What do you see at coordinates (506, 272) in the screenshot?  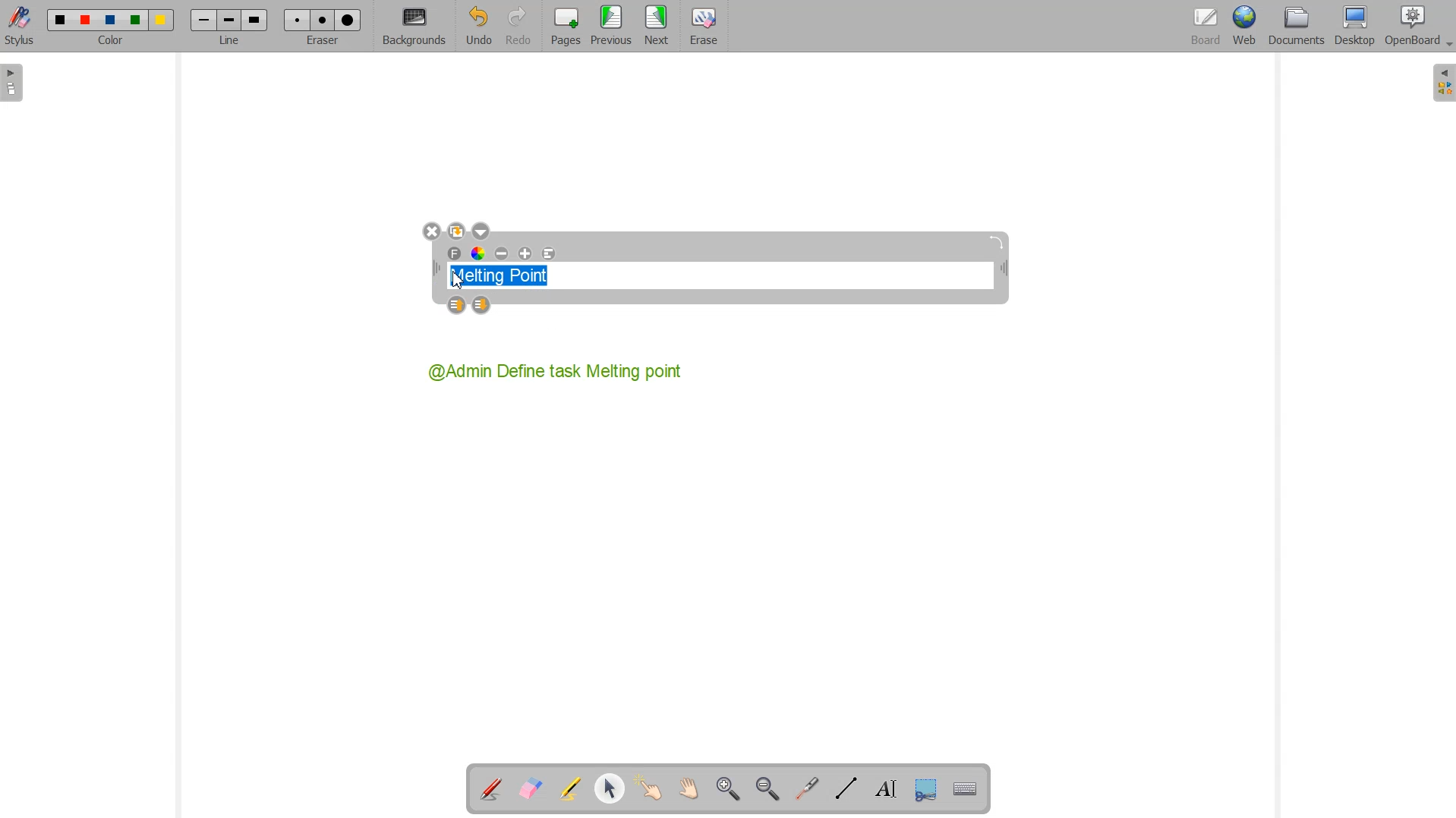 I see `Melting Point` at bounding box center [506, 272].